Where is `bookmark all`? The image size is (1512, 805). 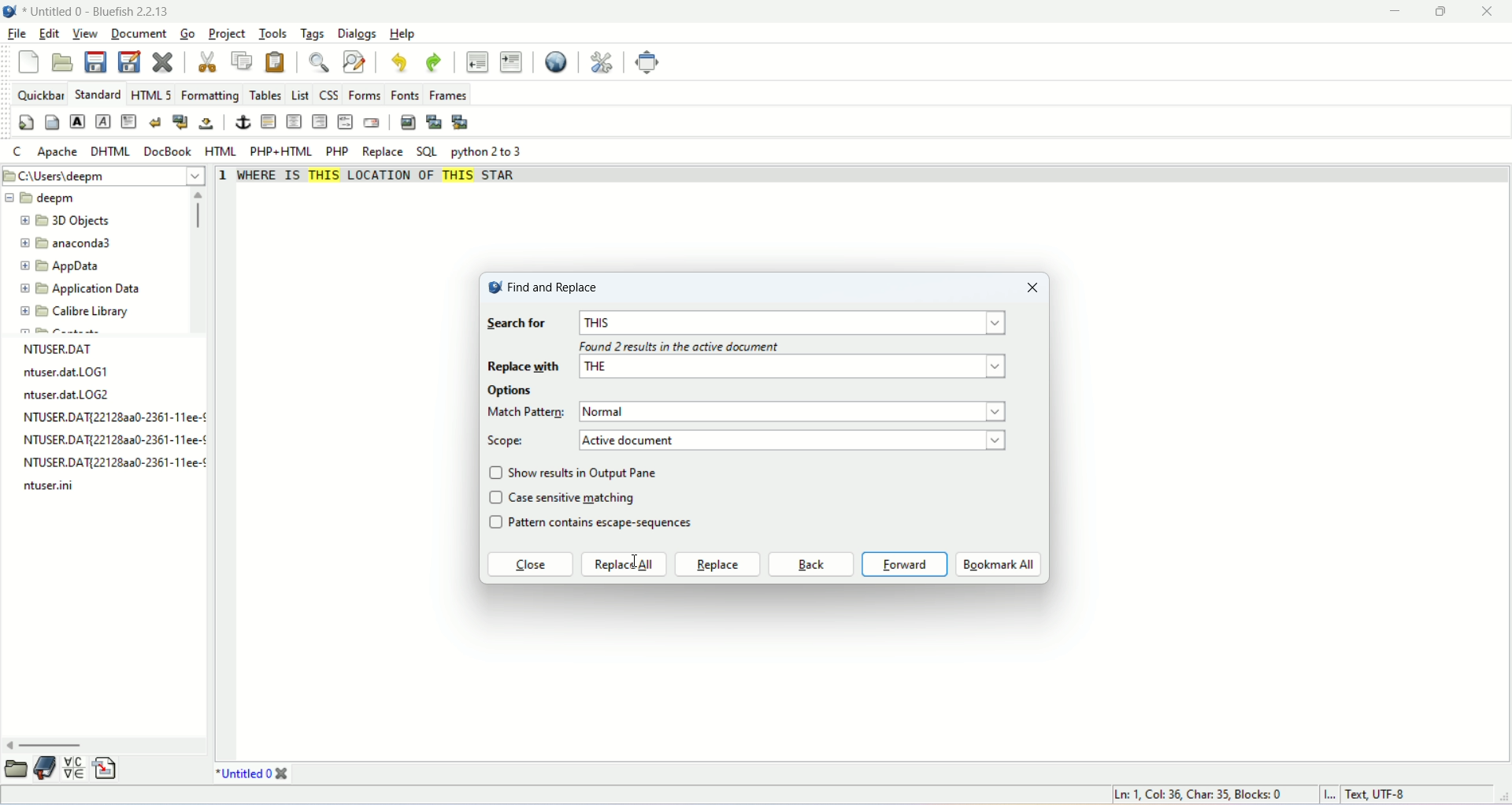
bookmark all is located at coordinates (999, 565).